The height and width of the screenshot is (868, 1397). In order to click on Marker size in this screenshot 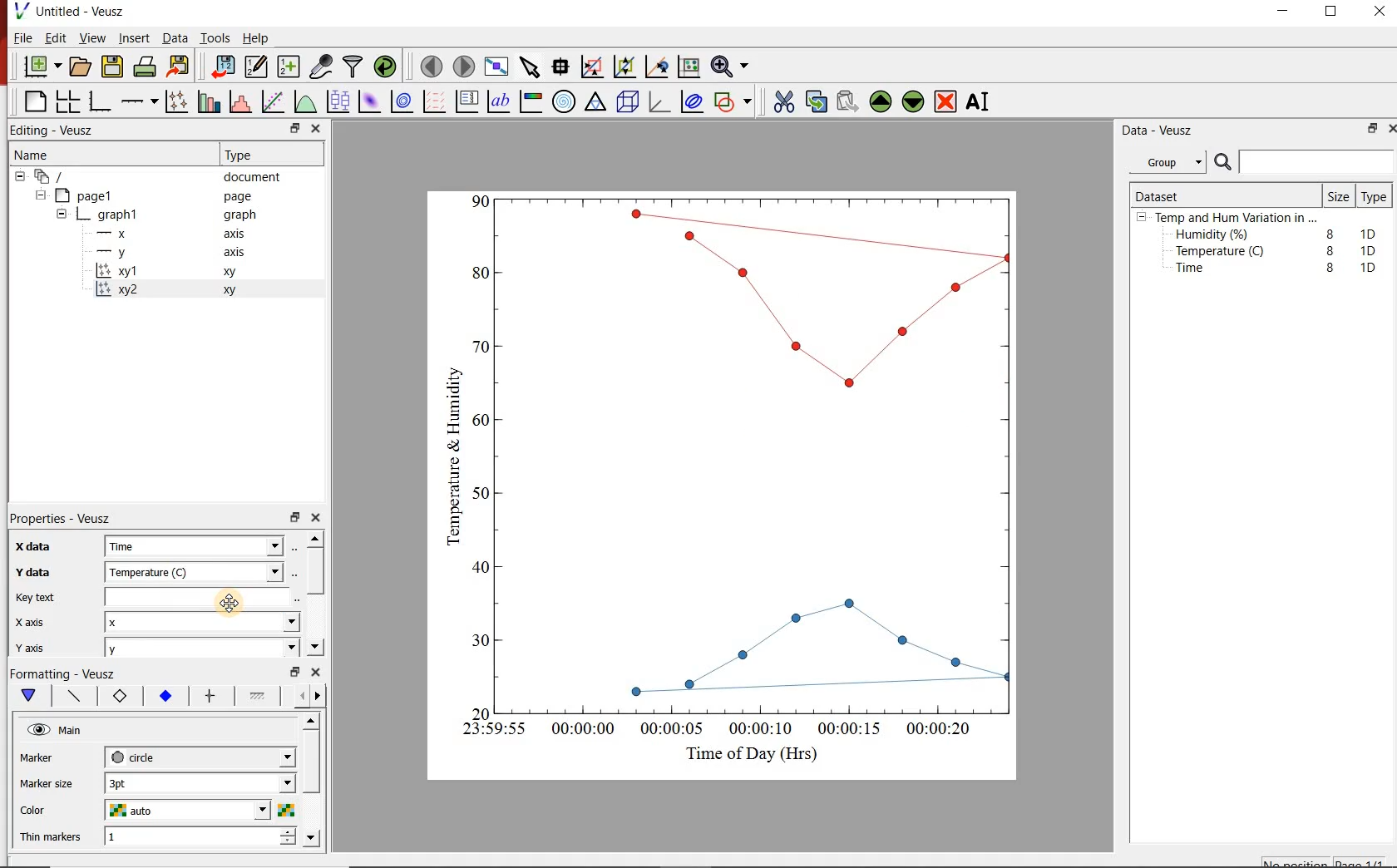, I will do `click(54, 782)`.